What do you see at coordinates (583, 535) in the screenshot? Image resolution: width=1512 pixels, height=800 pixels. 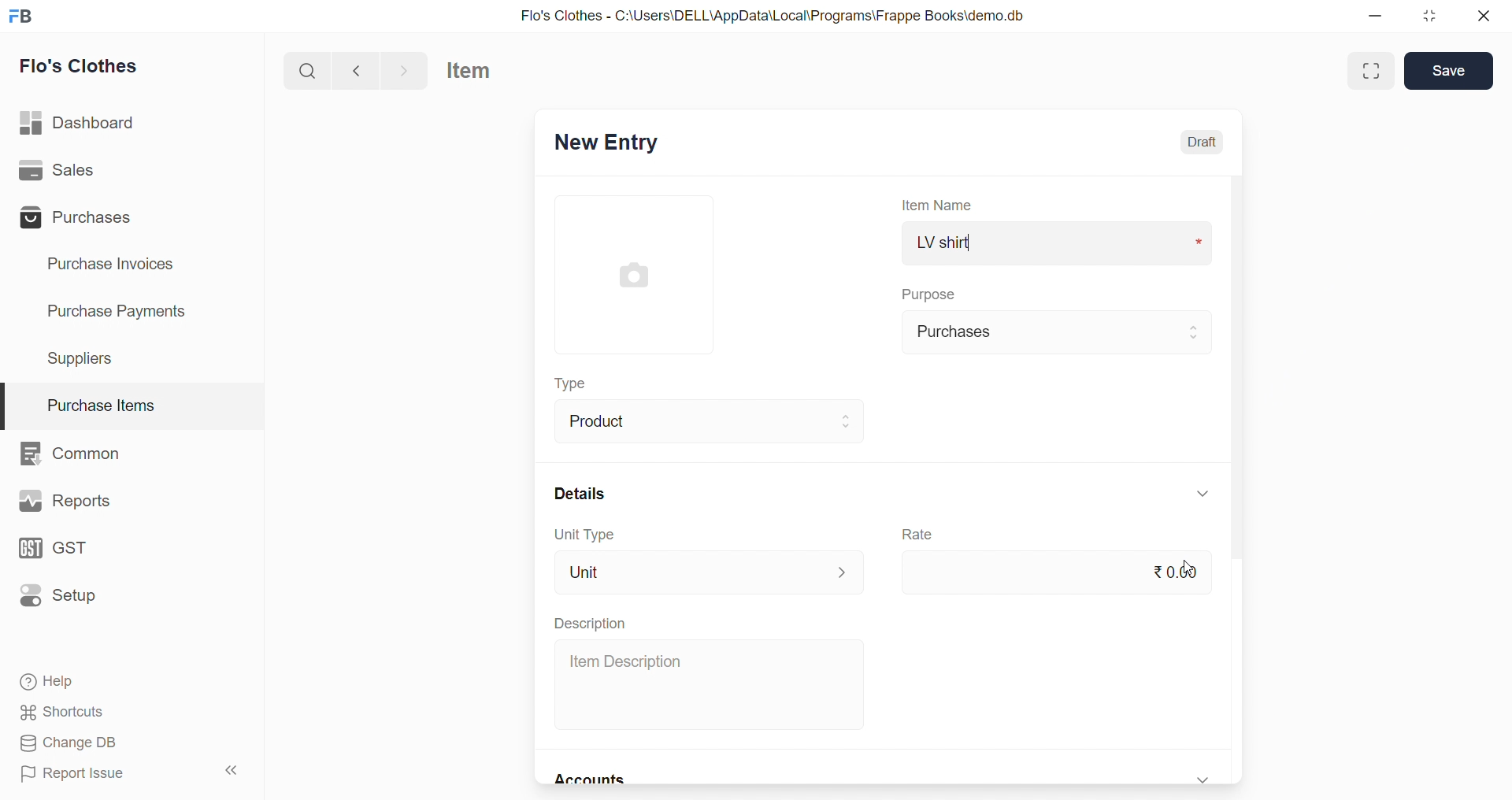 I see `Unit Type` at bounding box center [583, 535].